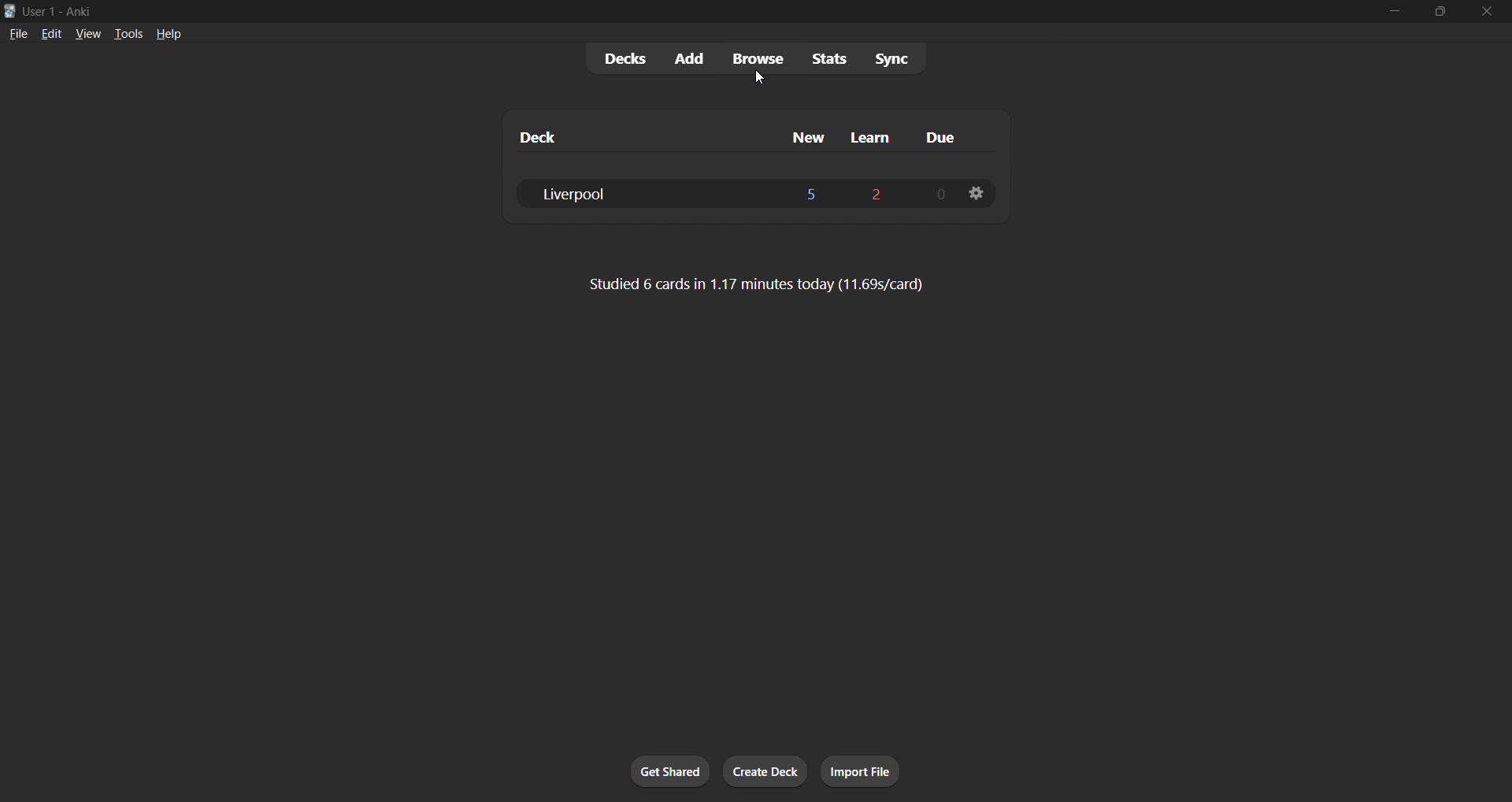  I want to click on import file, so click(865, 770).